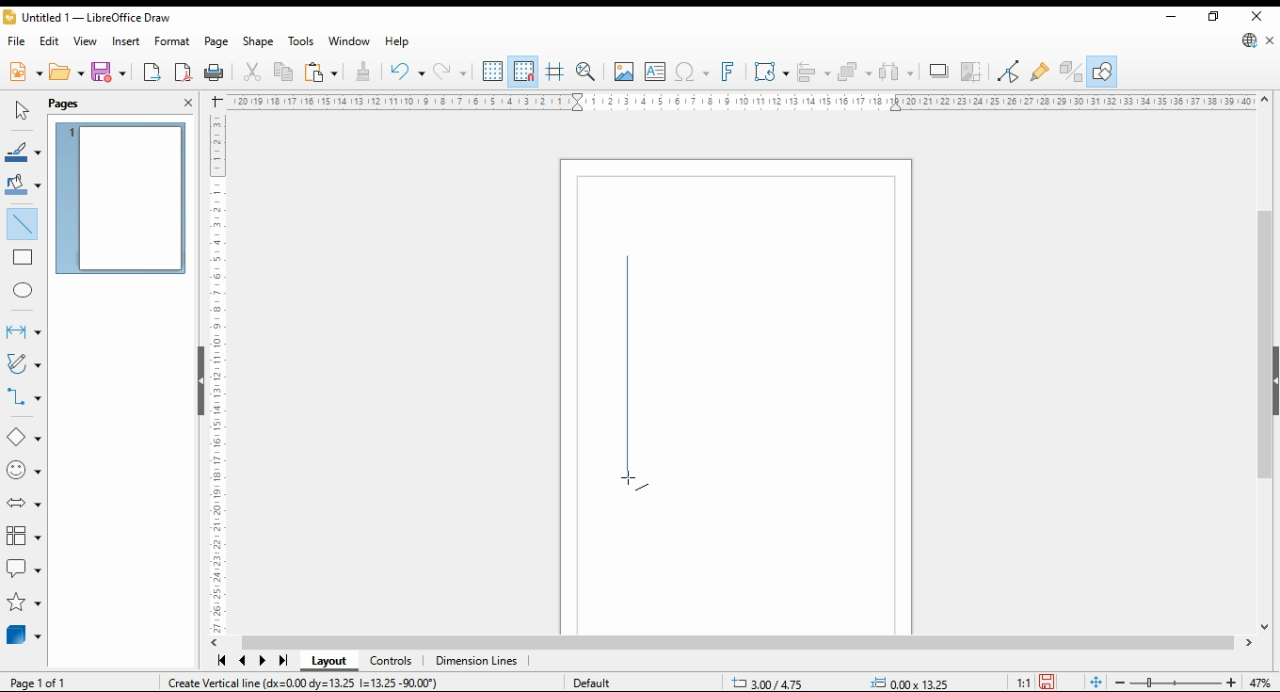 This screenshot has width=1280, height=692. I want to click on mouse pointer, so click(630, 480).